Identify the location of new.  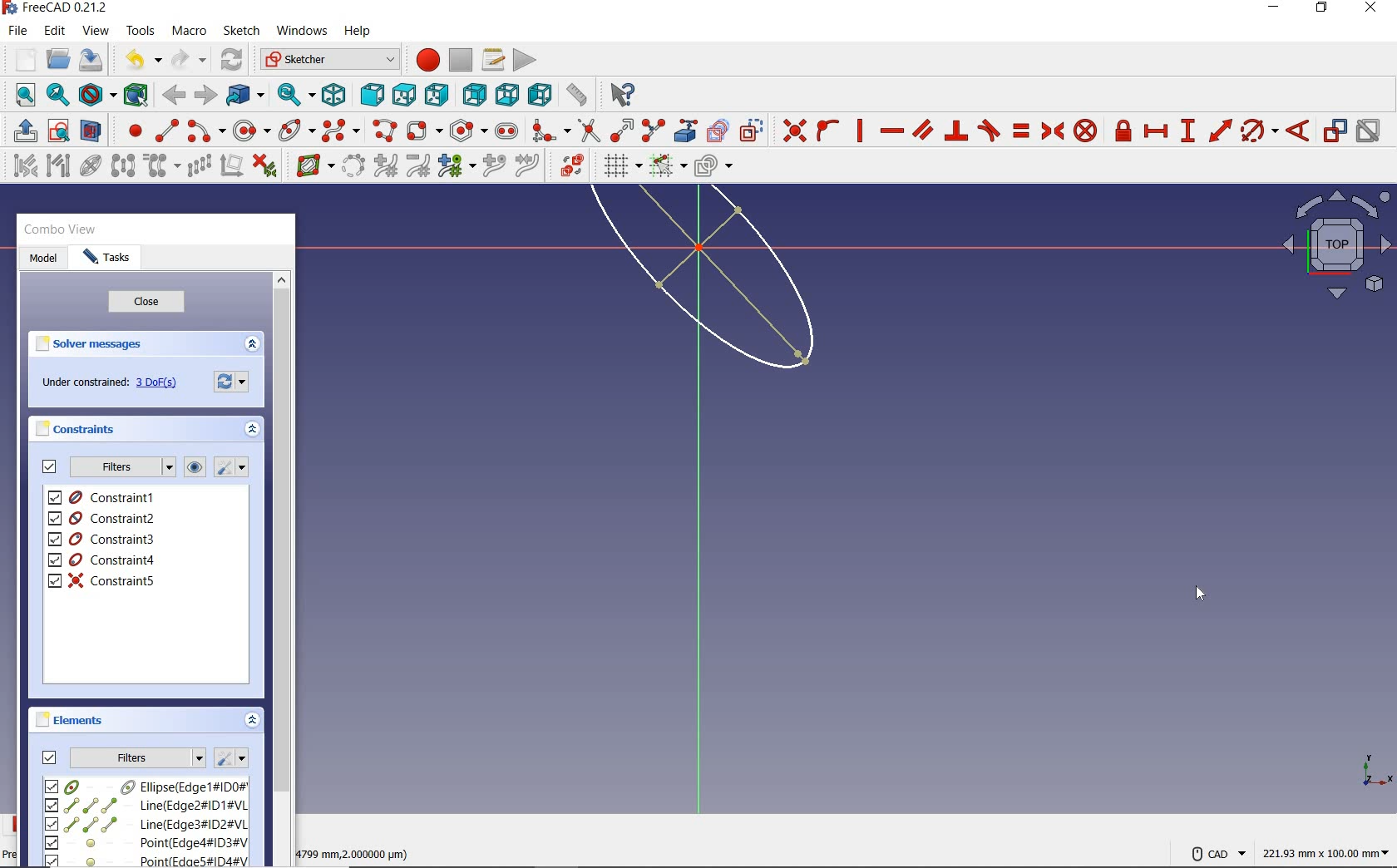
(21, 59).